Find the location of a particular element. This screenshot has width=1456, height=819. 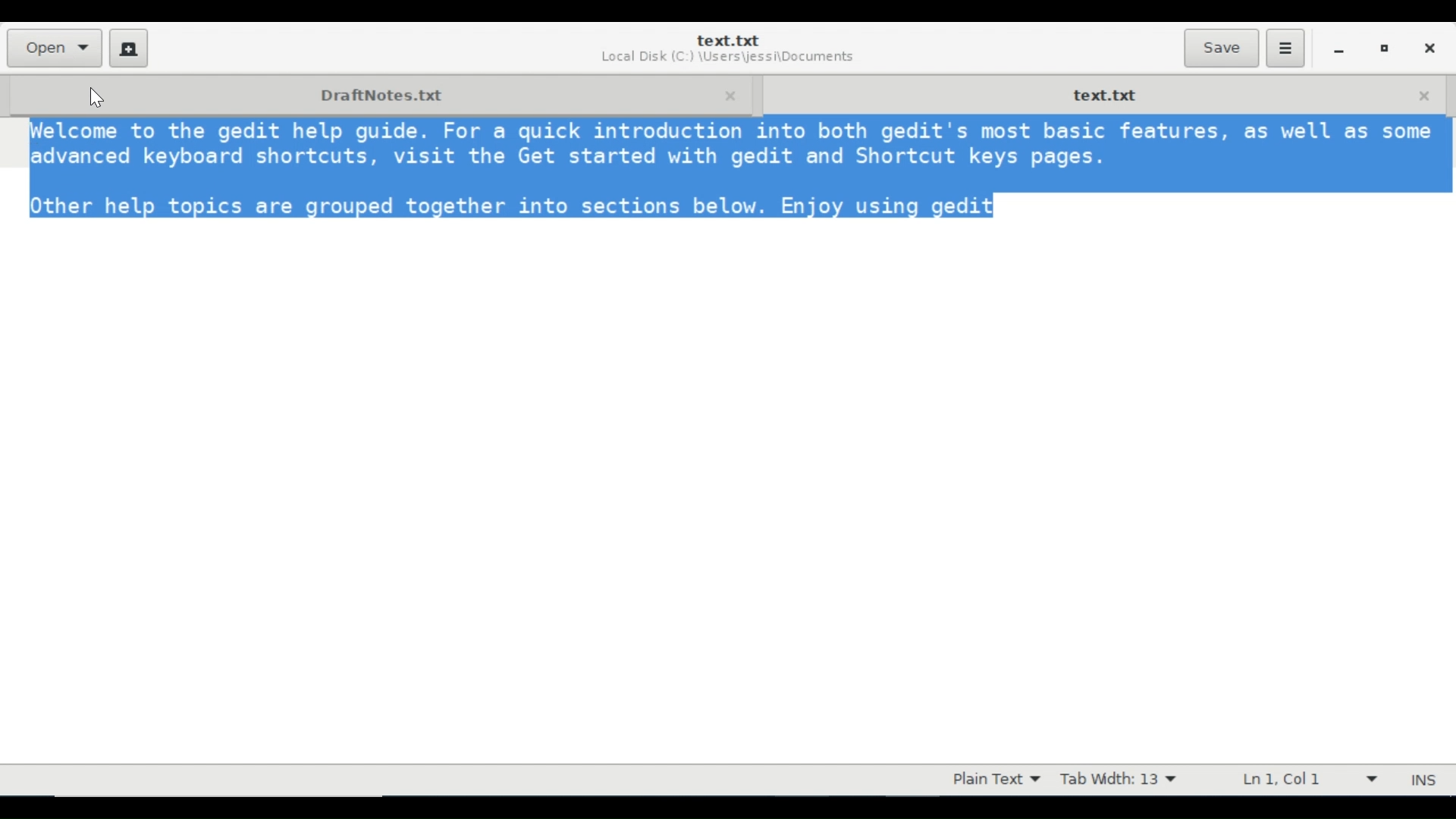

Application menu is located at coordinates (1285, 49).